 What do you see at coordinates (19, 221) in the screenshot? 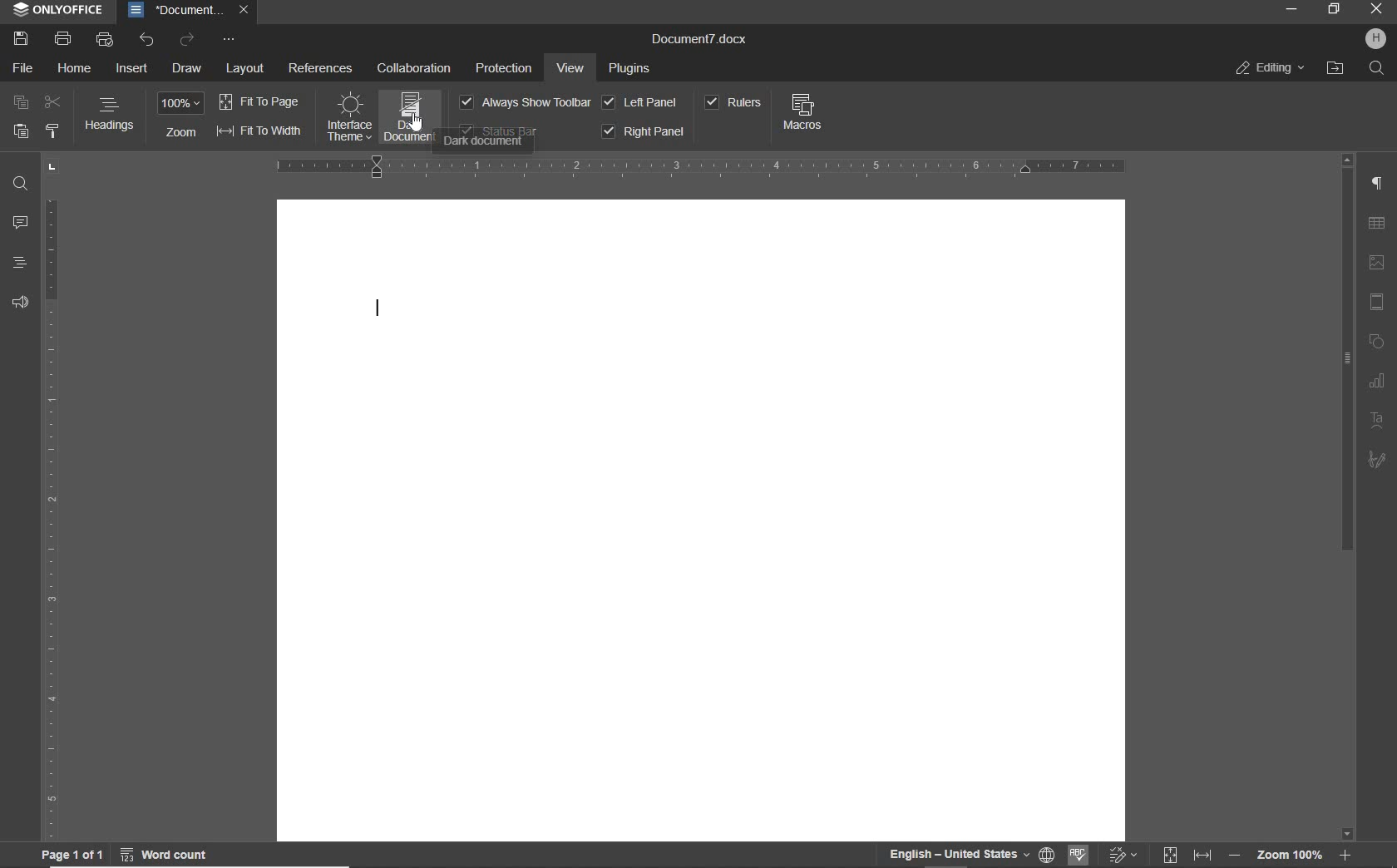
I see `COMMENTS` at bounding box center [19, 221].